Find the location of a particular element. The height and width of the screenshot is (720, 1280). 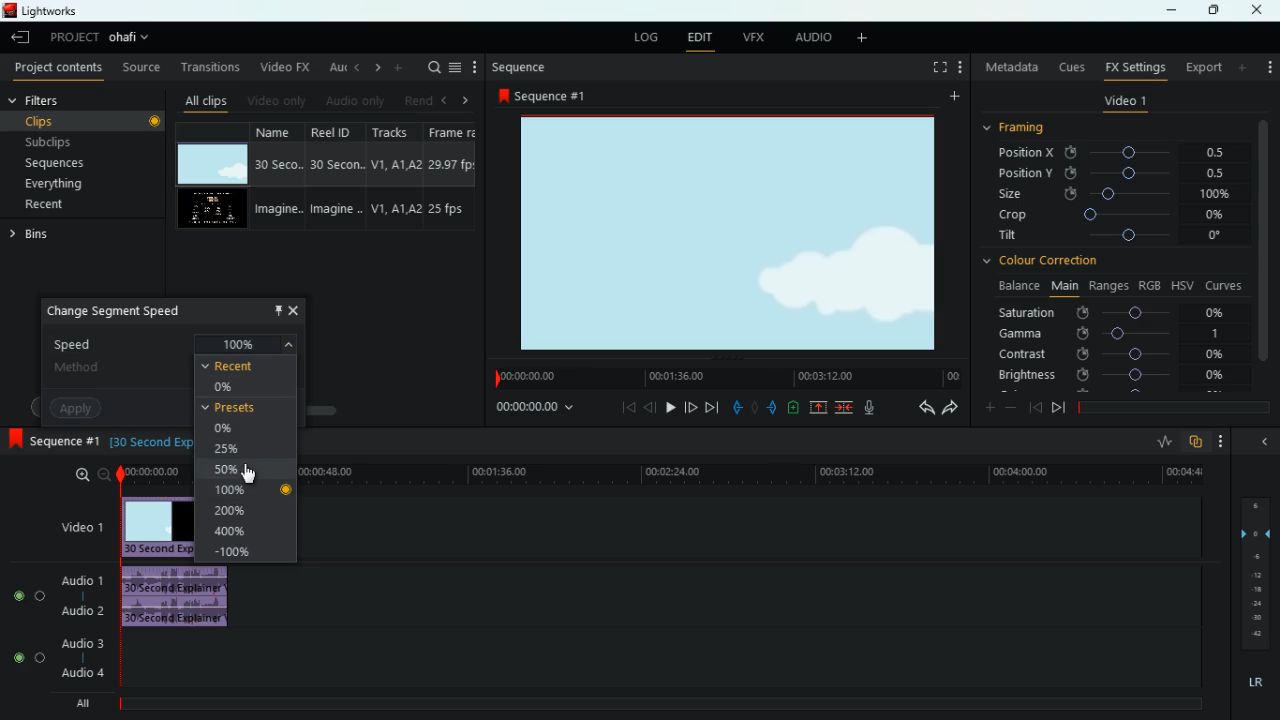

filters is located at coordinates (42, 101).